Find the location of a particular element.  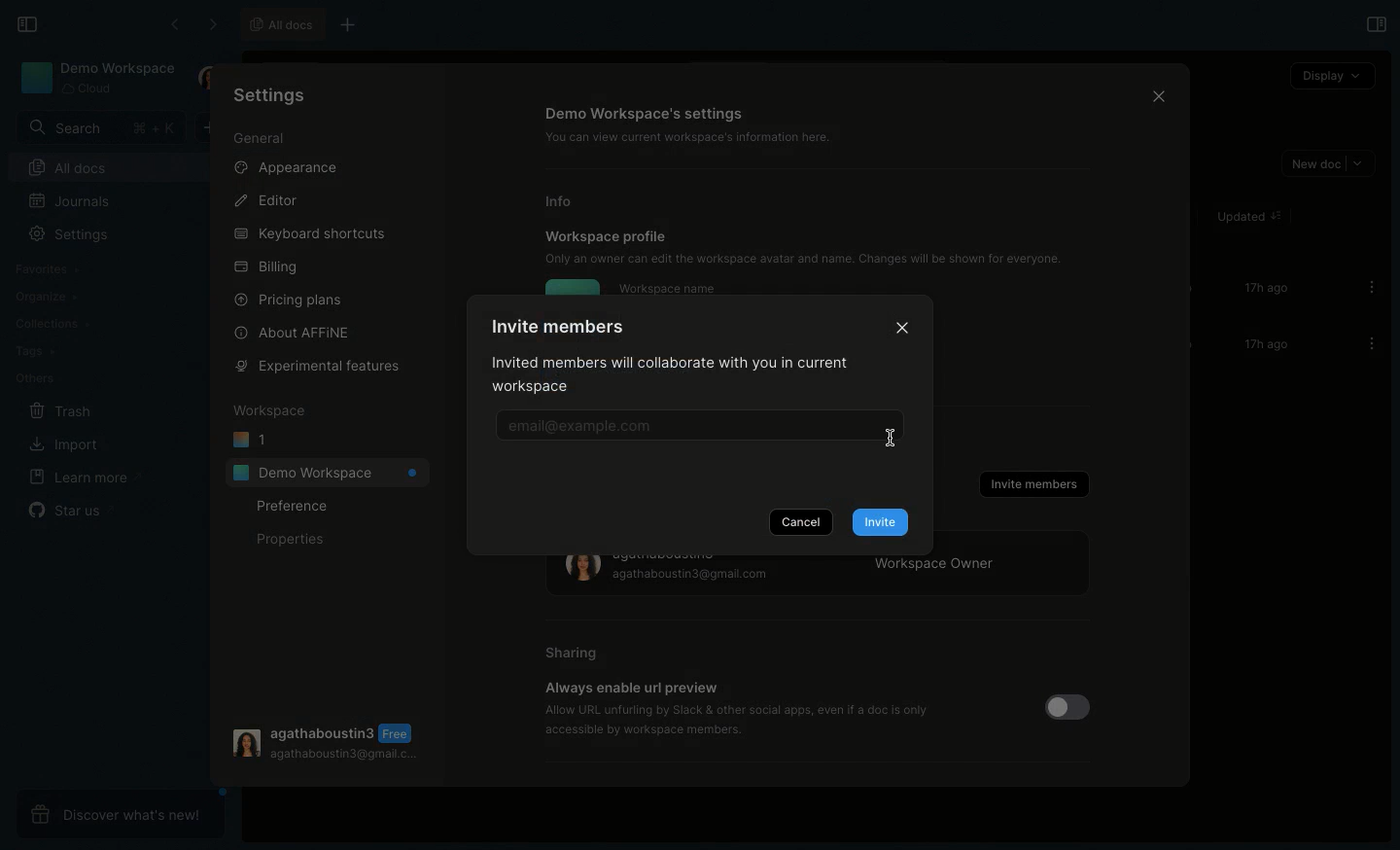

cursor is located at coordinates (896, 444).